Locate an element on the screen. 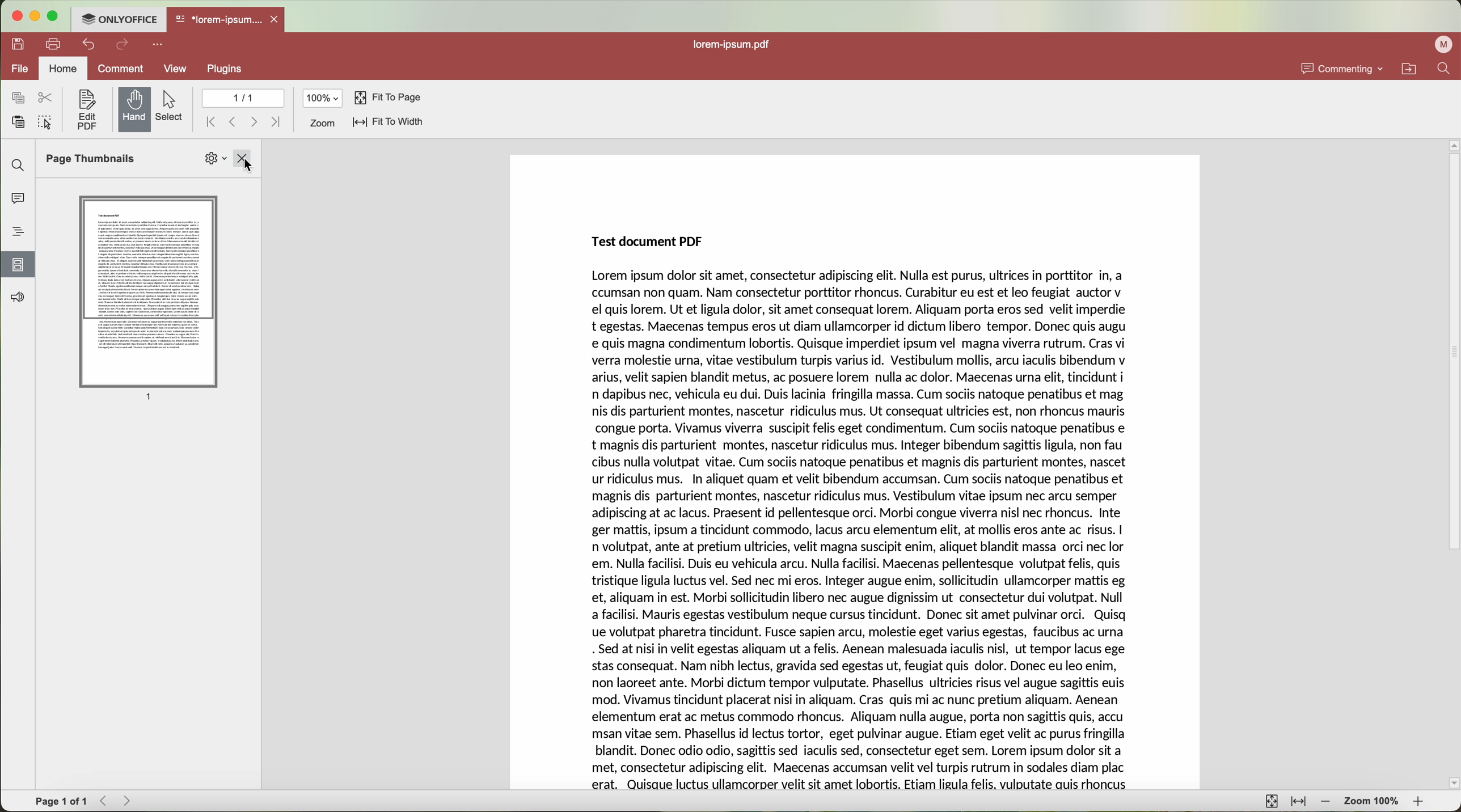 The height and width of the screenshot is (812, 1461). 1/1 is located at coordinates (242, 98).